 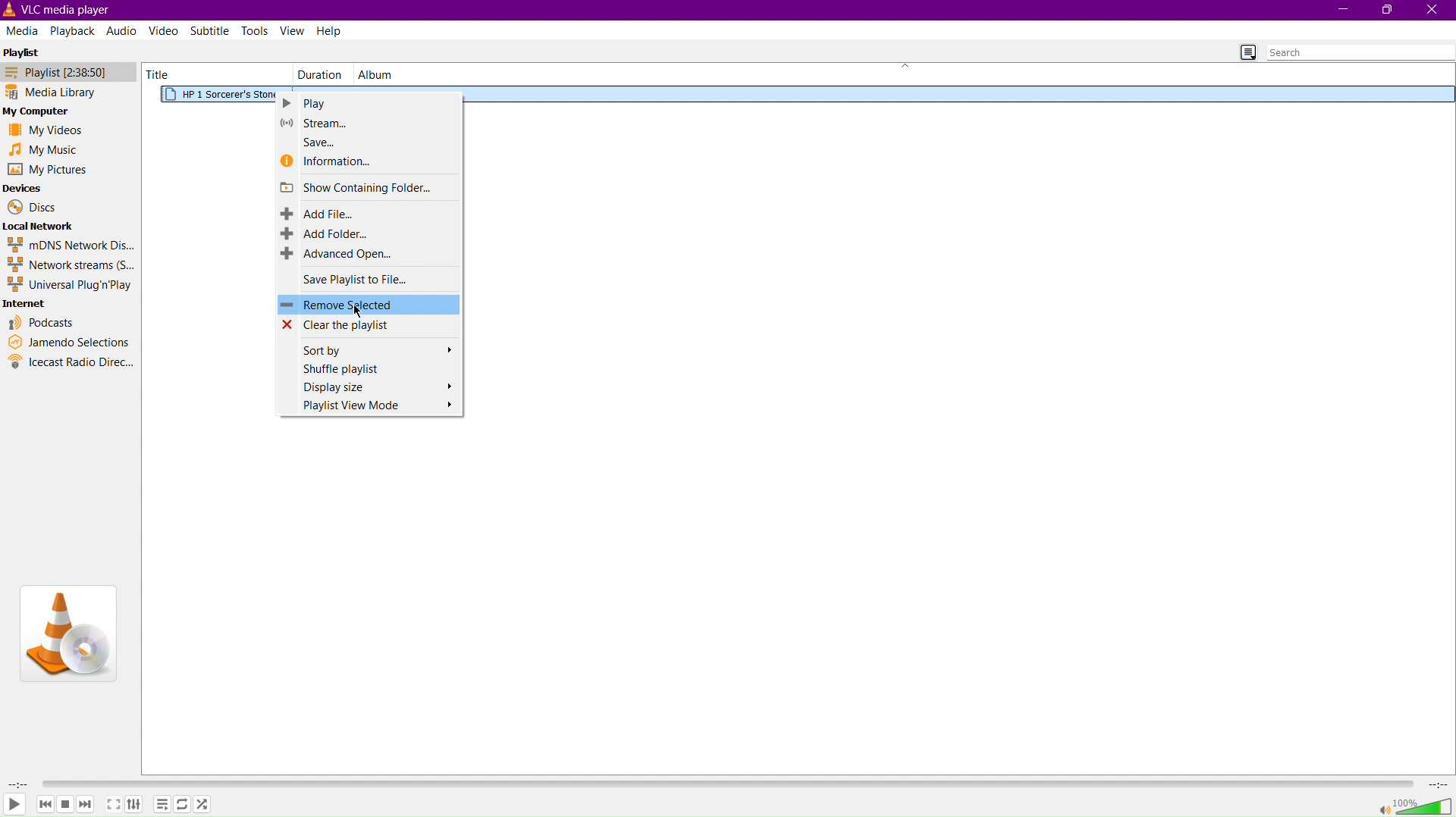 I want to click on Fullscreen, so click(x=112, y=804).